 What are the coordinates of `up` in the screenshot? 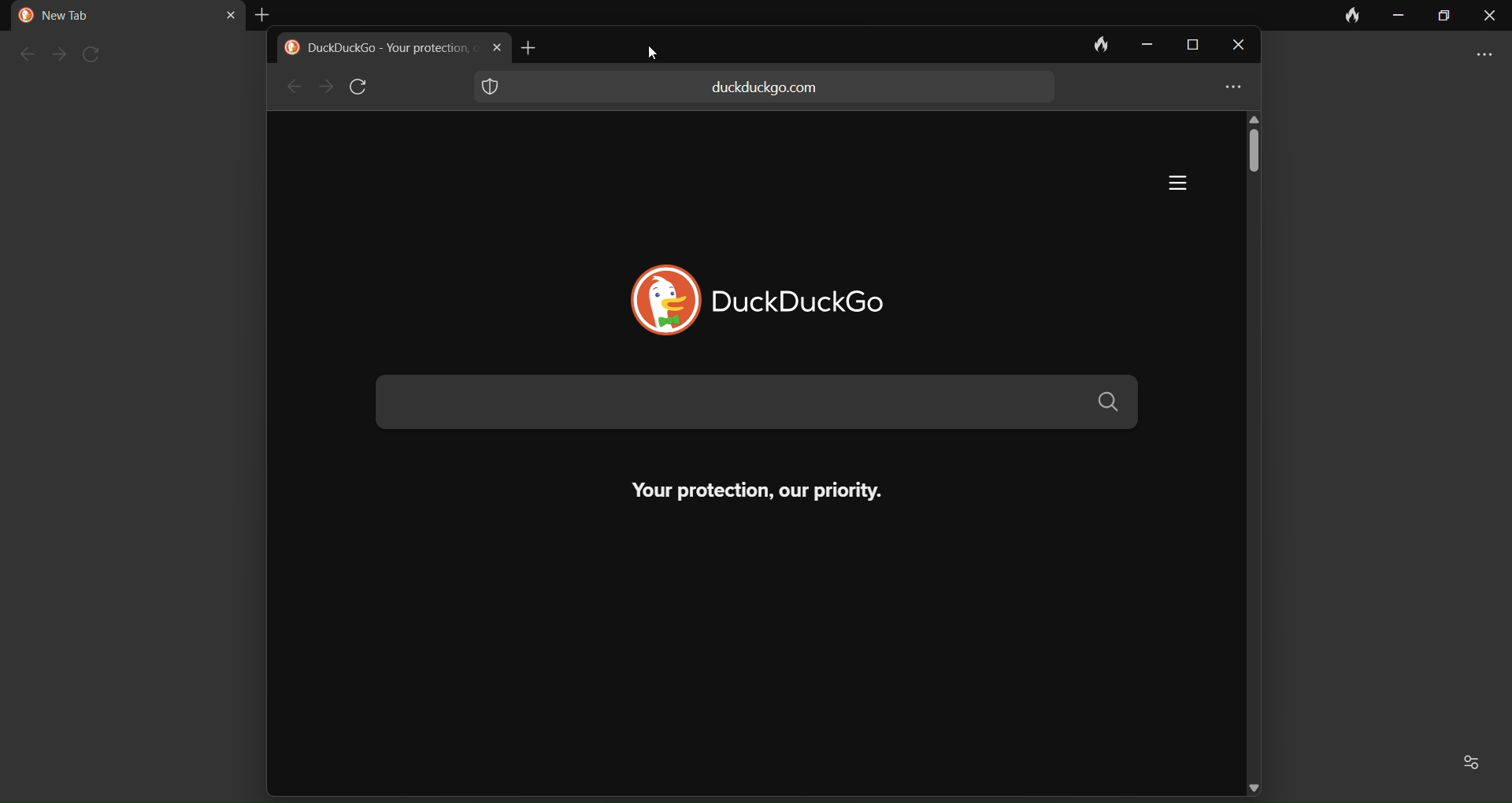 It's located at (1259, 116).